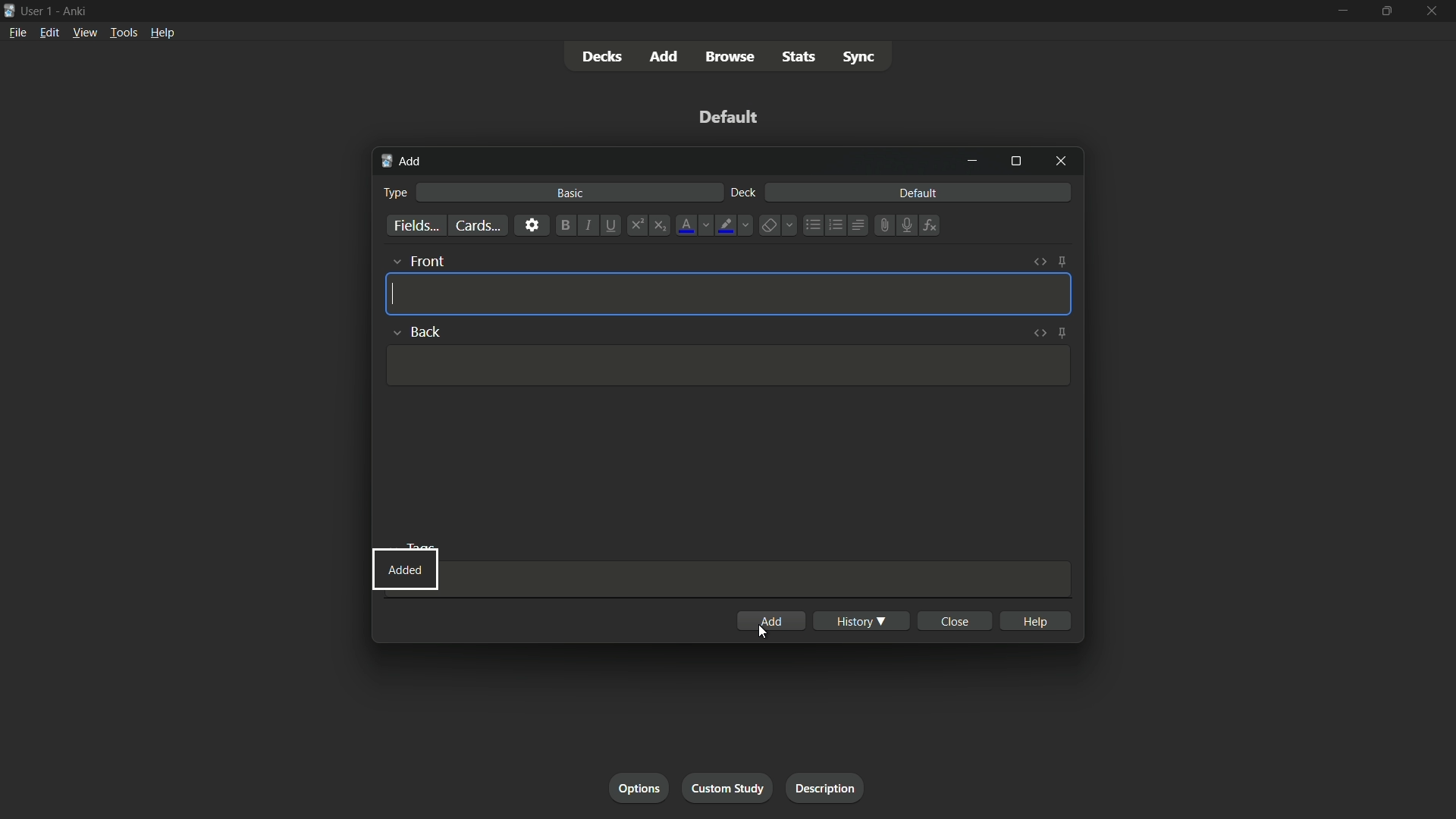 The width and height of the screenshot is (1456, 819). What do you see at coordinates (38, 10) in the screenshot?
I see `user 1` at bounding box center [38, 10].